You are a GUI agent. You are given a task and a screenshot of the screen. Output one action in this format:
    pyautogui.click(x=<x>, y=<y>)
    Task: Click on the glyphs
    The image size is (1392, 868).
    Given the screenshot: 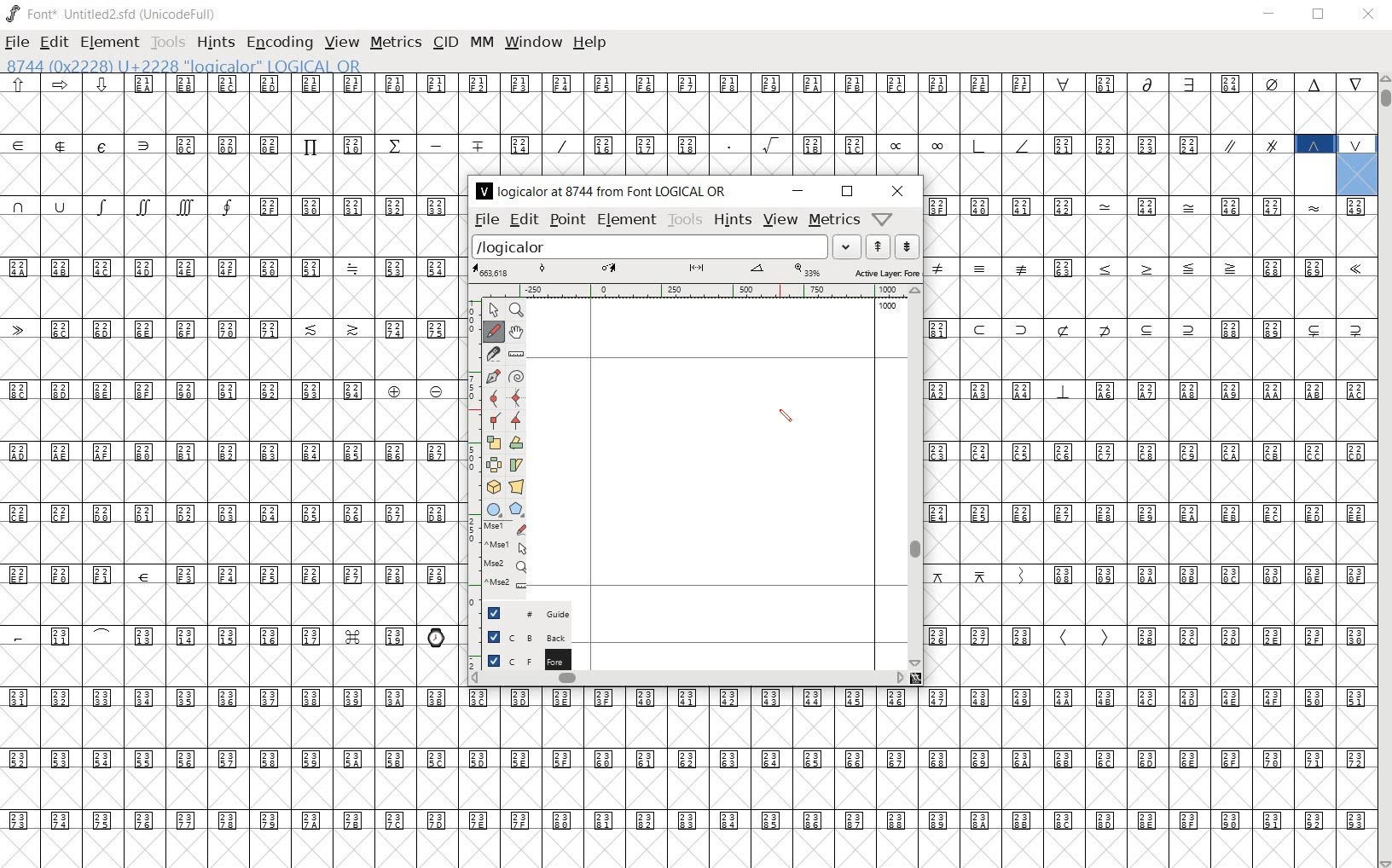 What is the action you would take?
    pyautogui.click(x=229, y=467)
    